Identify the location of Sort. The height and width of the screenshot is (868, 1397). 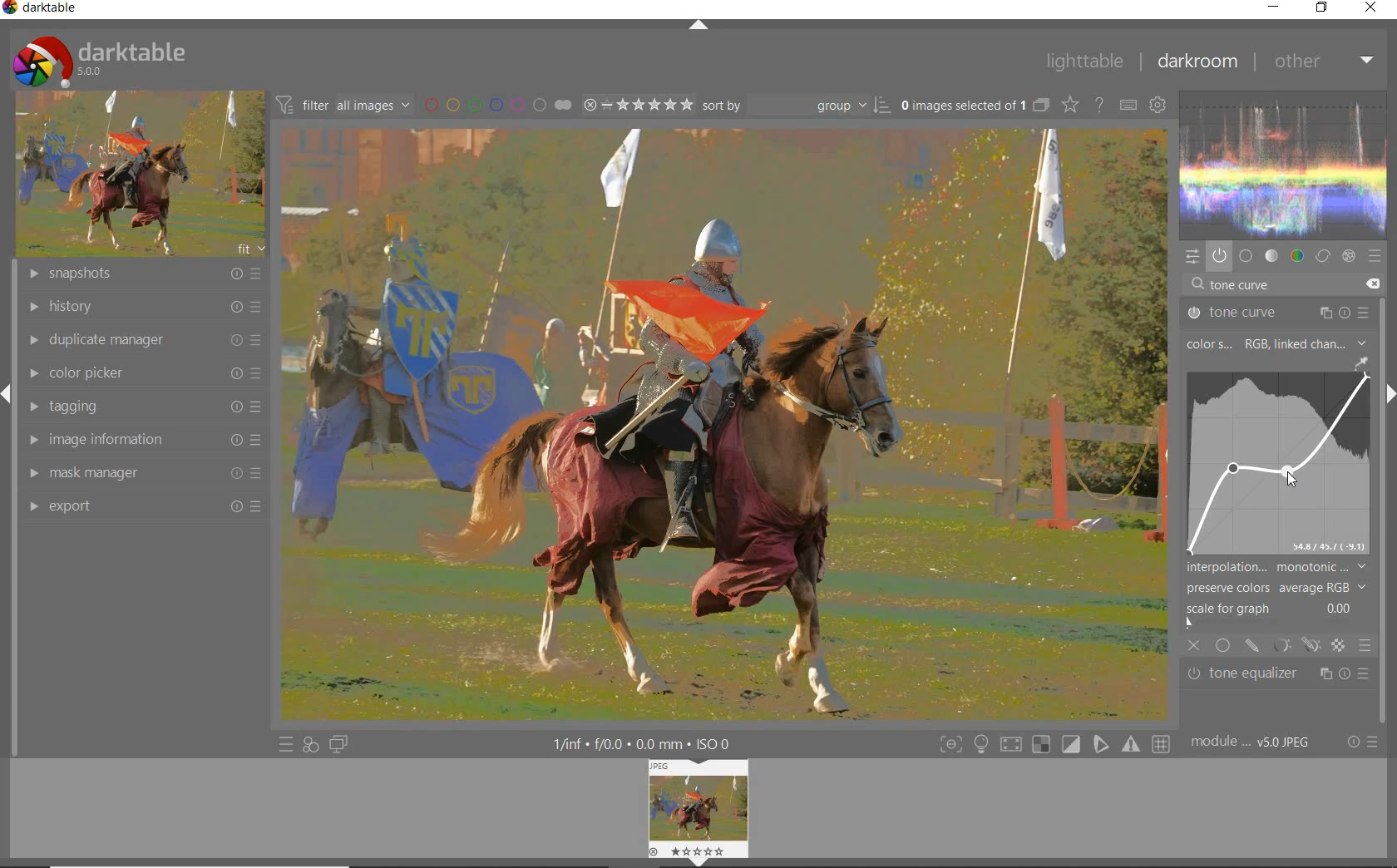
(796, 105).